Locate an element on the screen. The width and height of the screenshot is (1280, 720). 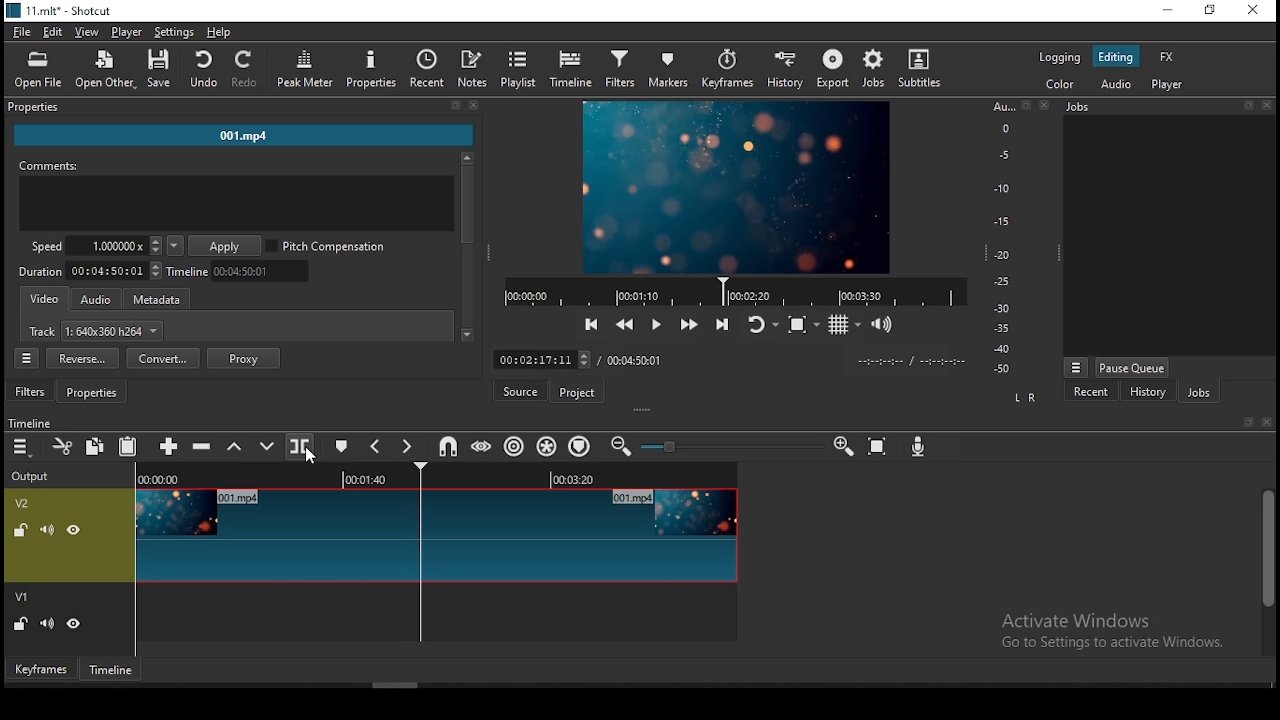
help is located at coordinates (219, 31).